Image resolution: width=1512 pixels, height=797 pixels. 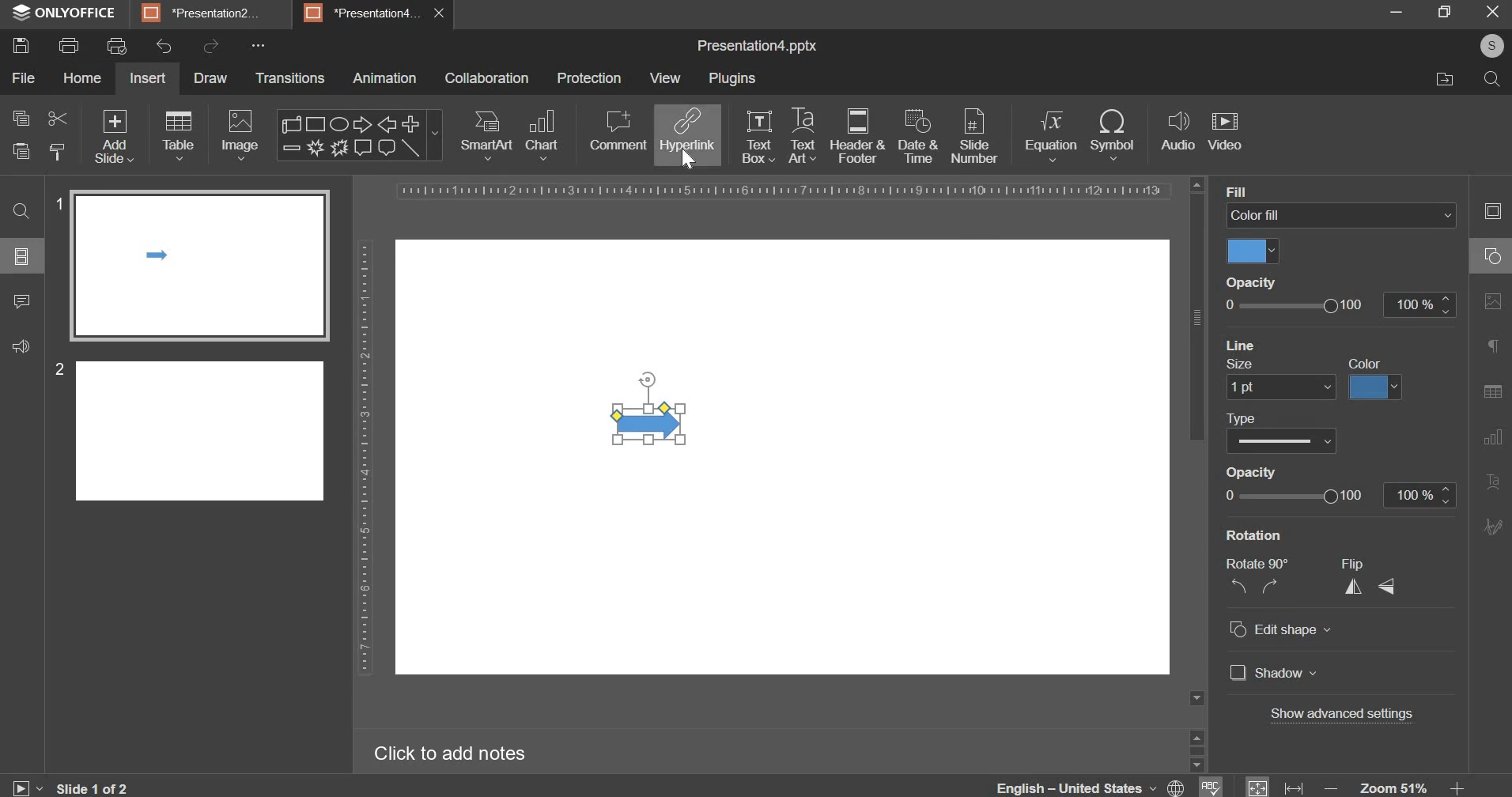 I want to click on transitions, so click(x=291, y=79).